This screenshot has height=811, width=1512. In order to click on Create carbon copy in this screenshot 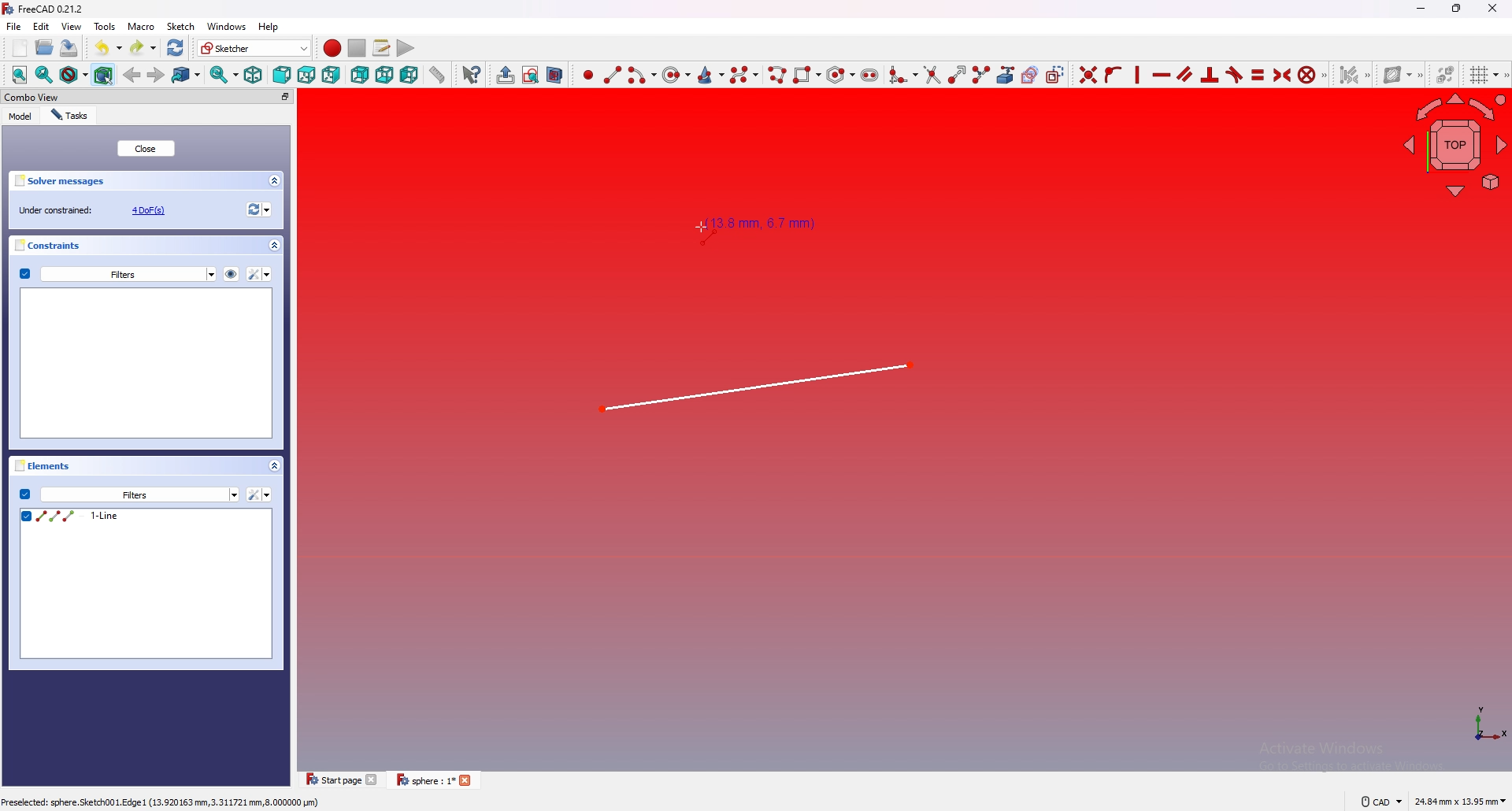, I will do `click(1028, 75)`.